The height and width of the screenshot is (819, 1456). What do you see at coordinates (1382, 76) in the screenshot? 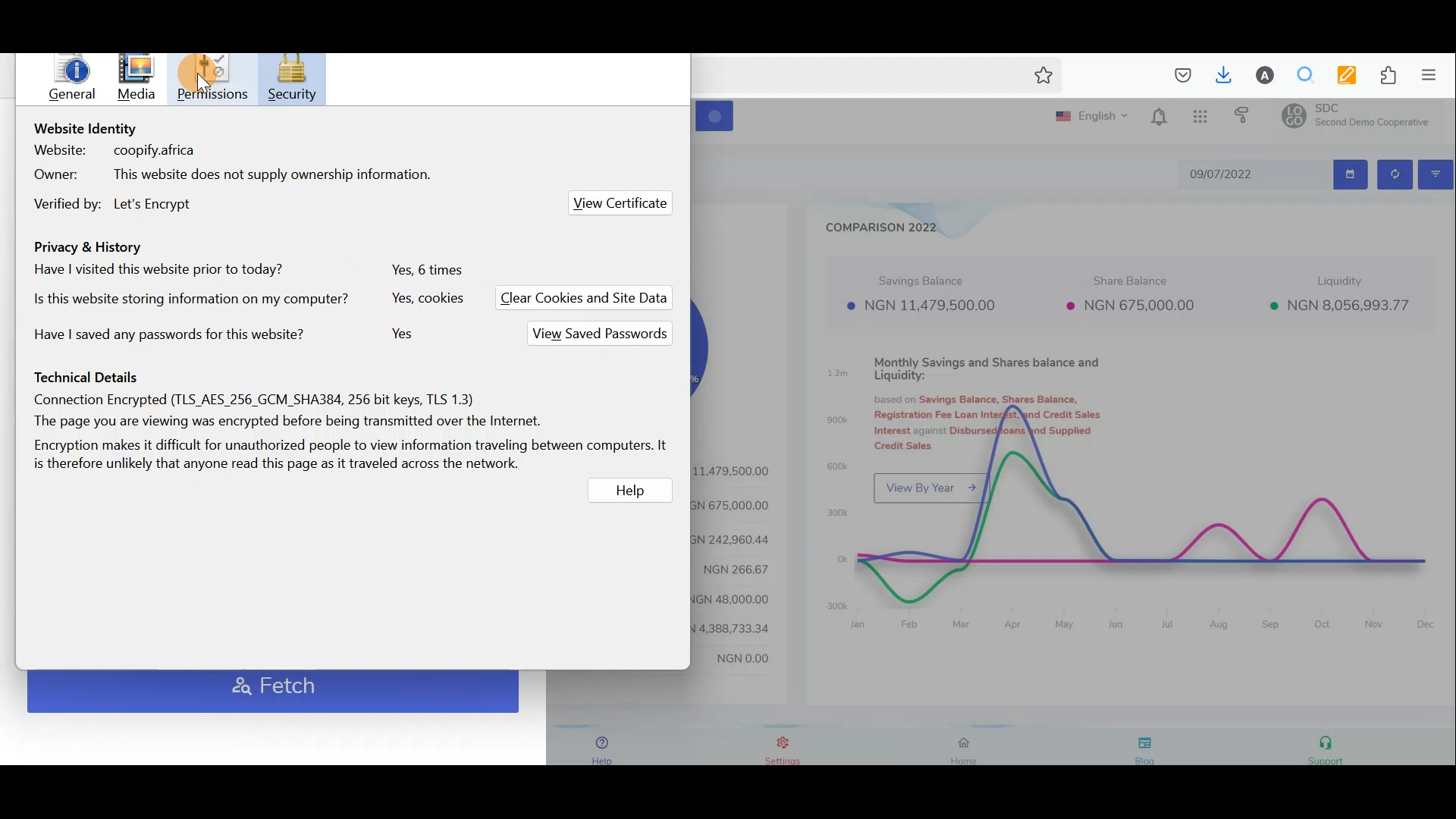
I see `Extension` at bounding box center [1382, 76].